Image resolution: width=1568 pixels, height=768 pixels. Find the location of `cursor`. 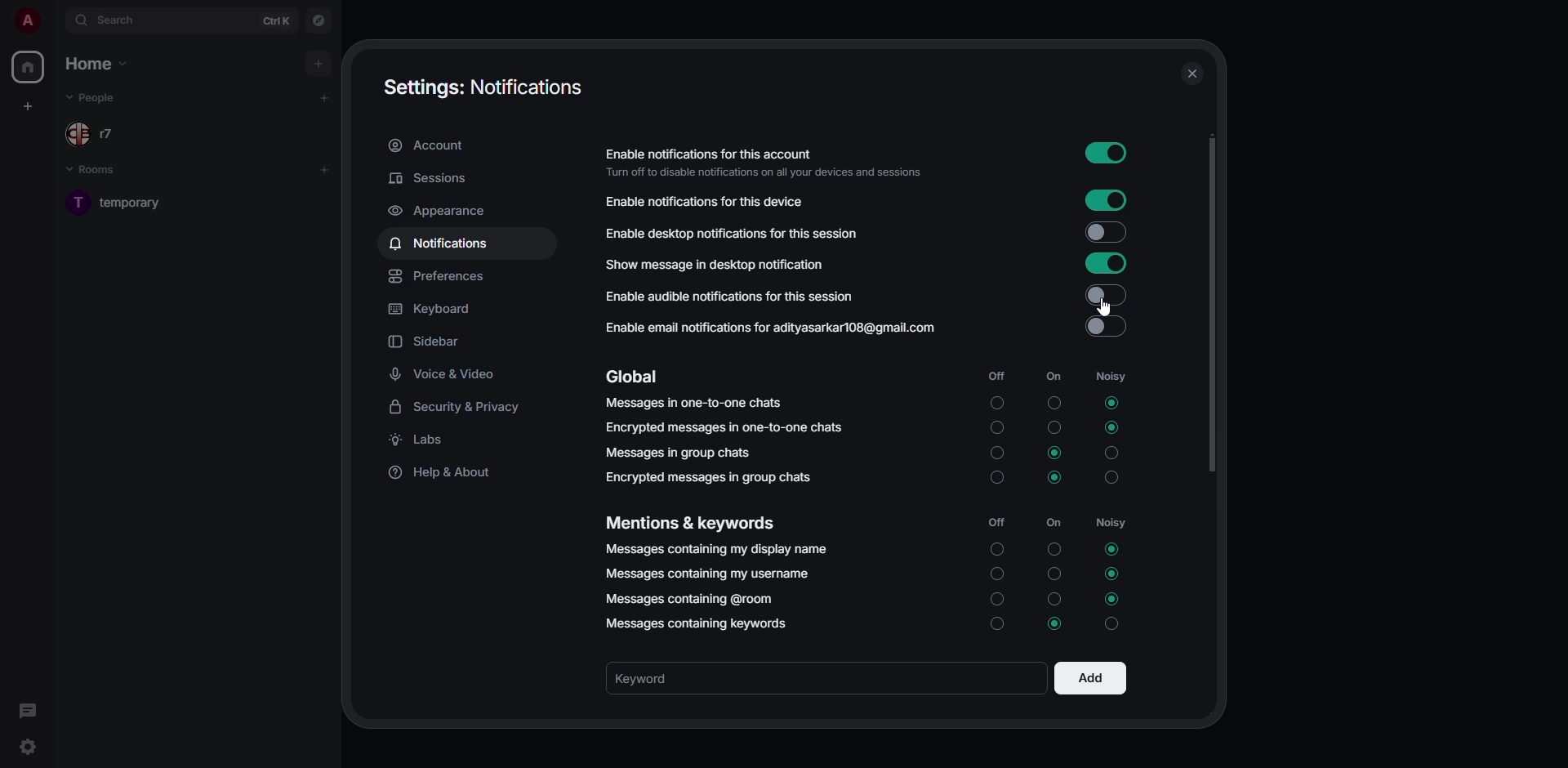

cursor is located at coordinates (1106, 309).